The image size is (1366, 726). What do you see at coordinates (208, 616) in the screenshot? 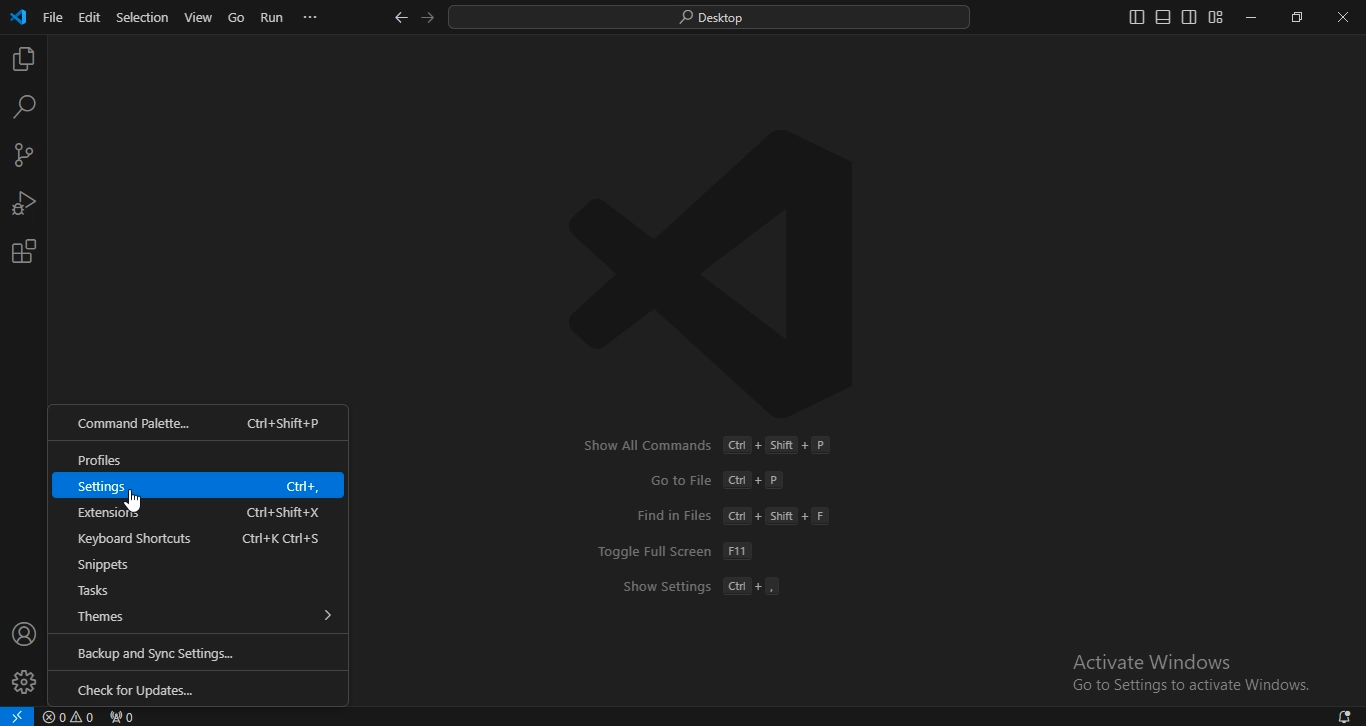
I see `themes` at bounding box center [208, 616].